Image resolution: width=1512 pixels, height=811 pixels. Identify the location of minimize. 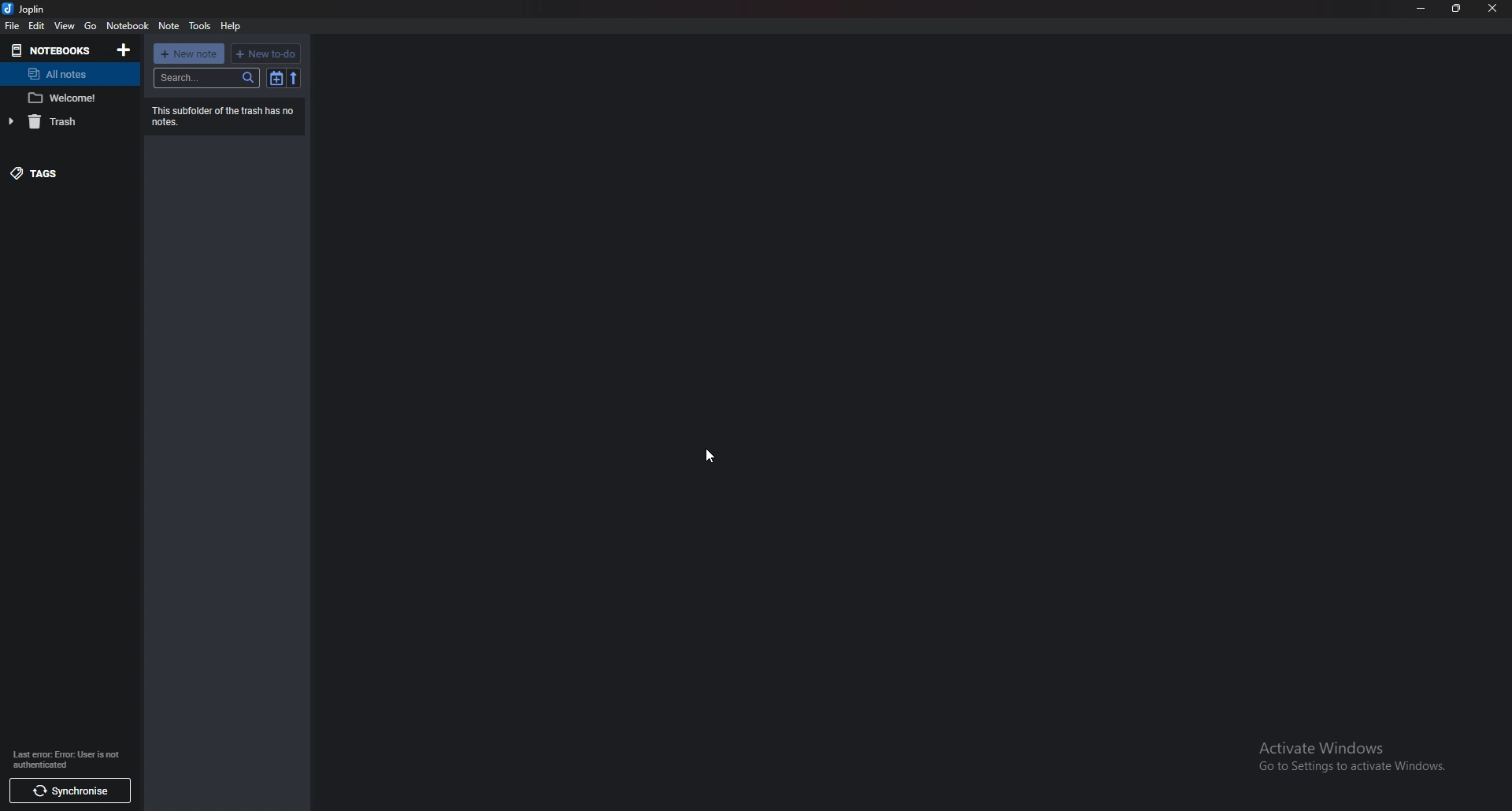
(1421, 8).